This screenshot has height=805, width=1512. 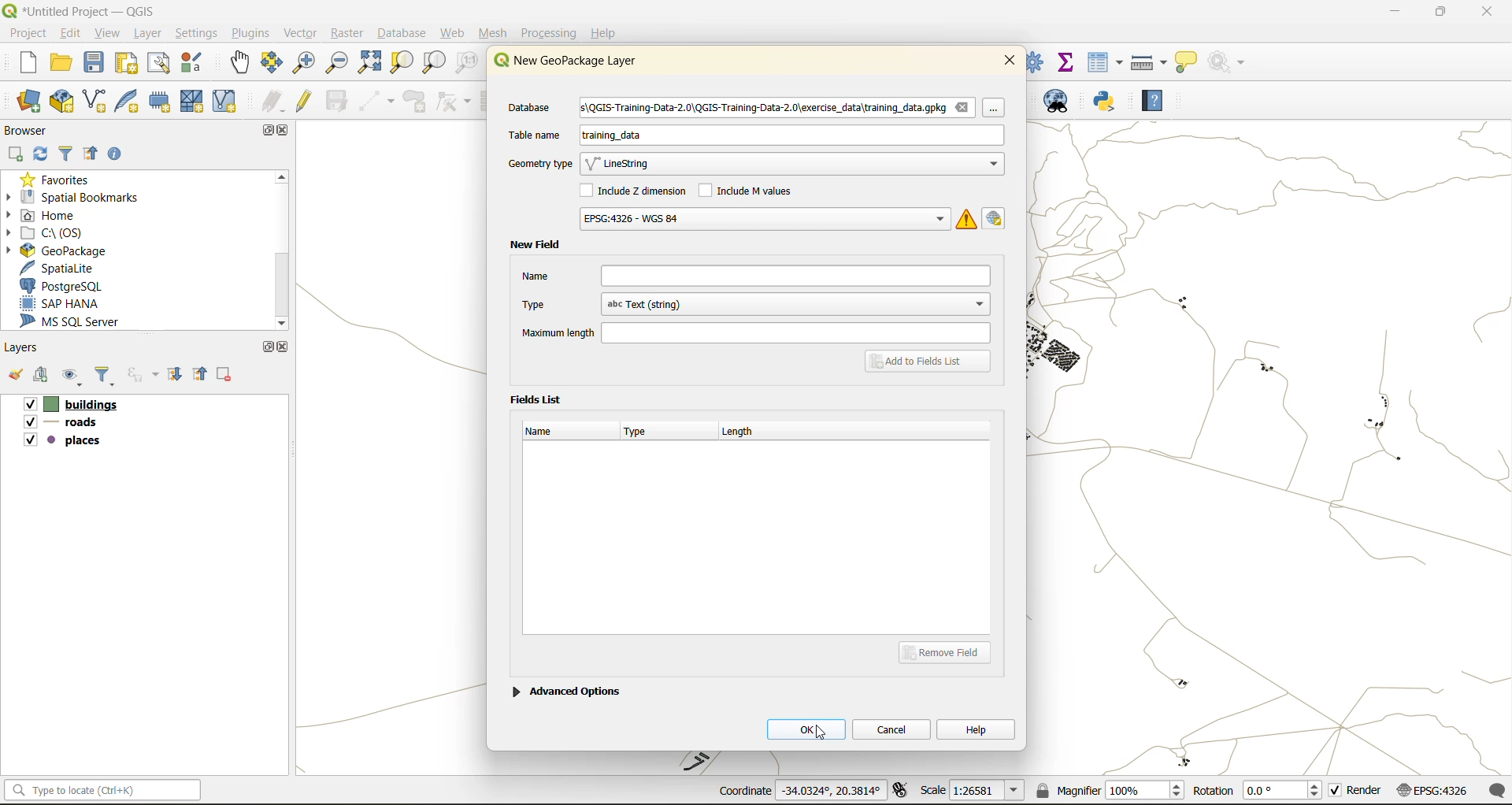 I want to click on cursor, so click(x=823, y=734).